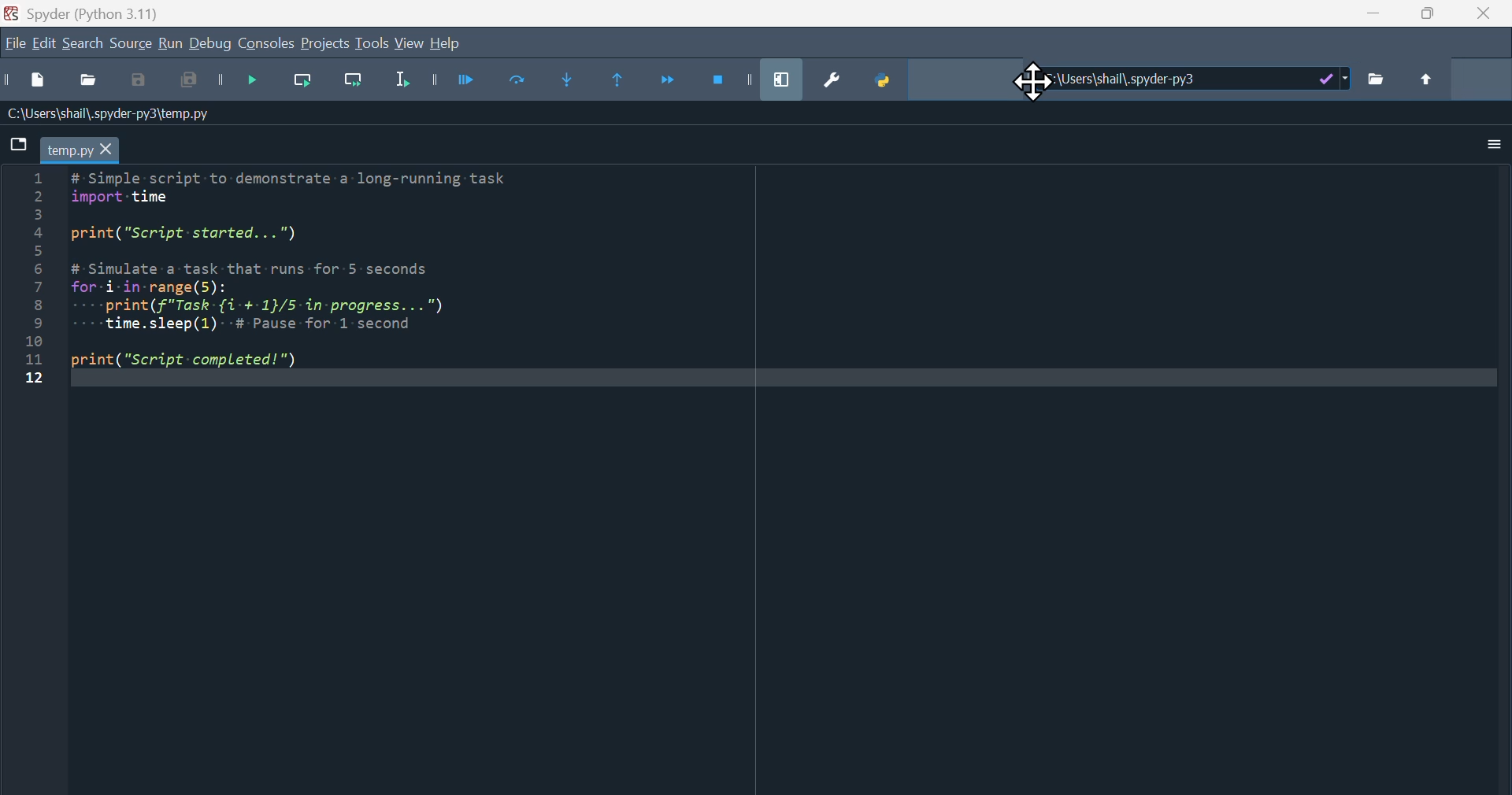  Describe the element at coordinates (322, 43) in the screenshot. I see `Projects` at that location.